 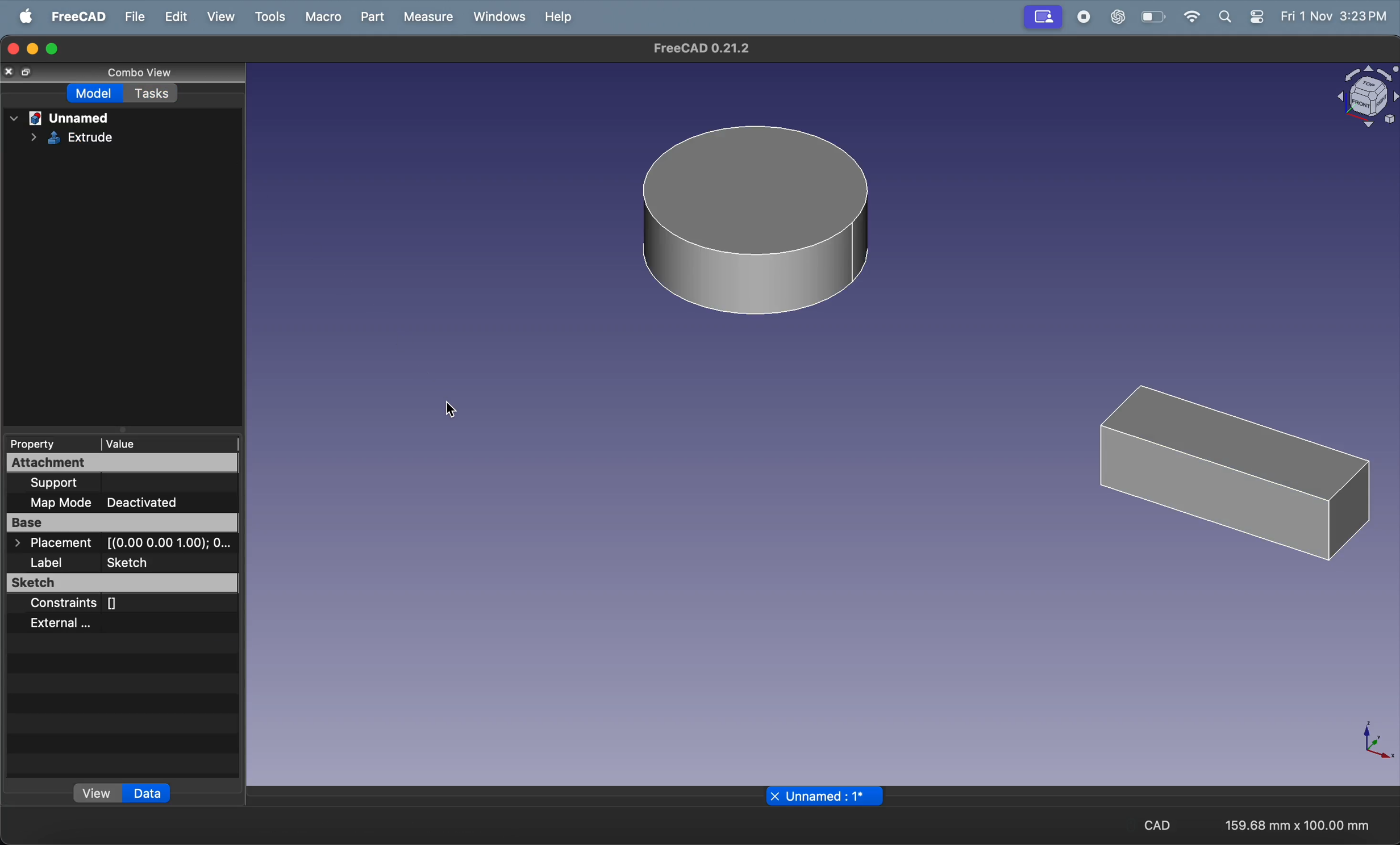 What do you see at coordinates (28, 72) in the screenshot?
I see `resize` at bounding box center [28, 72].